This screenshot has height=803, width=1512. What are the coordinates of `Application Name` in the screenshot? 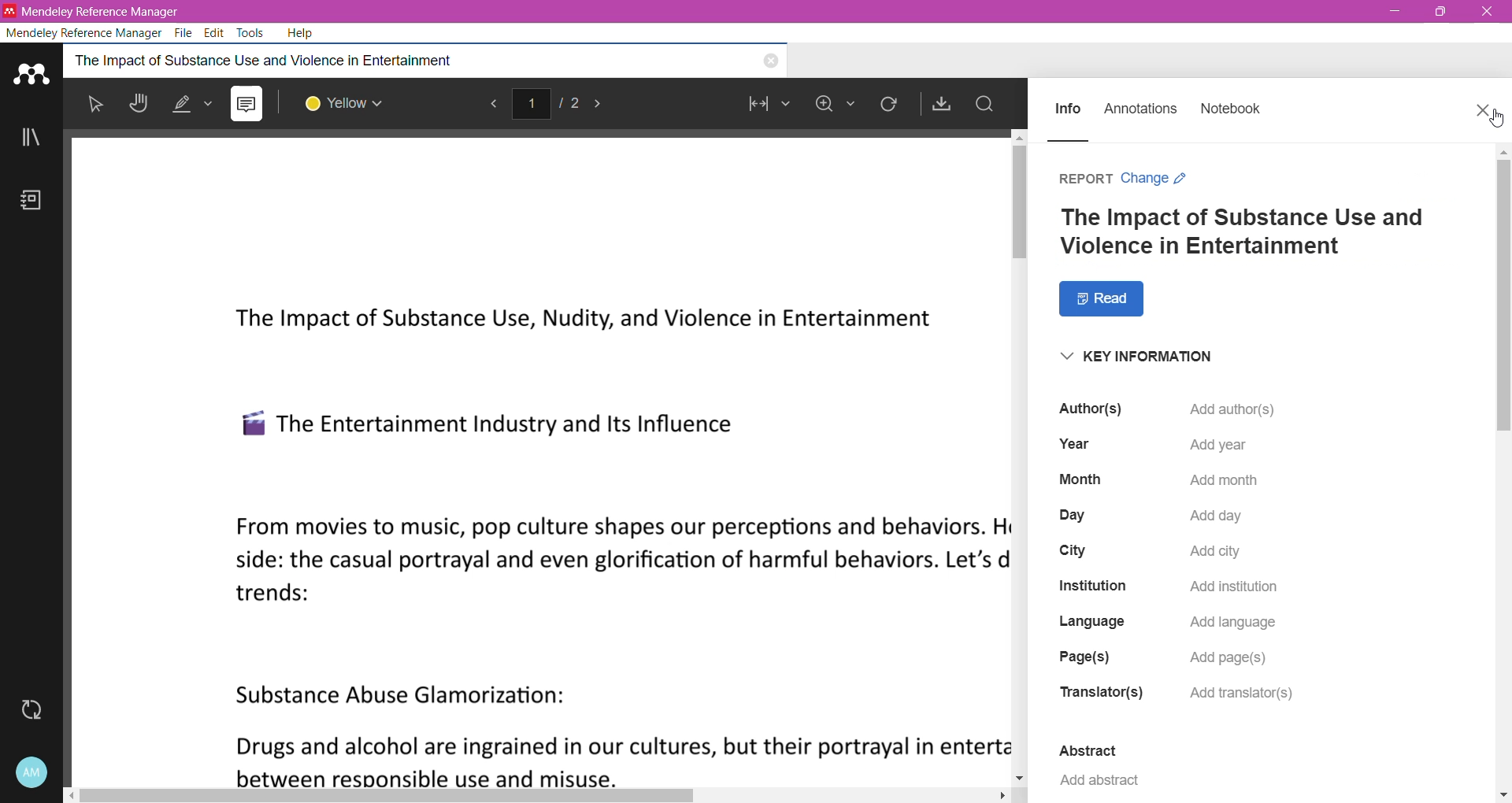 It's located at (99, 10).